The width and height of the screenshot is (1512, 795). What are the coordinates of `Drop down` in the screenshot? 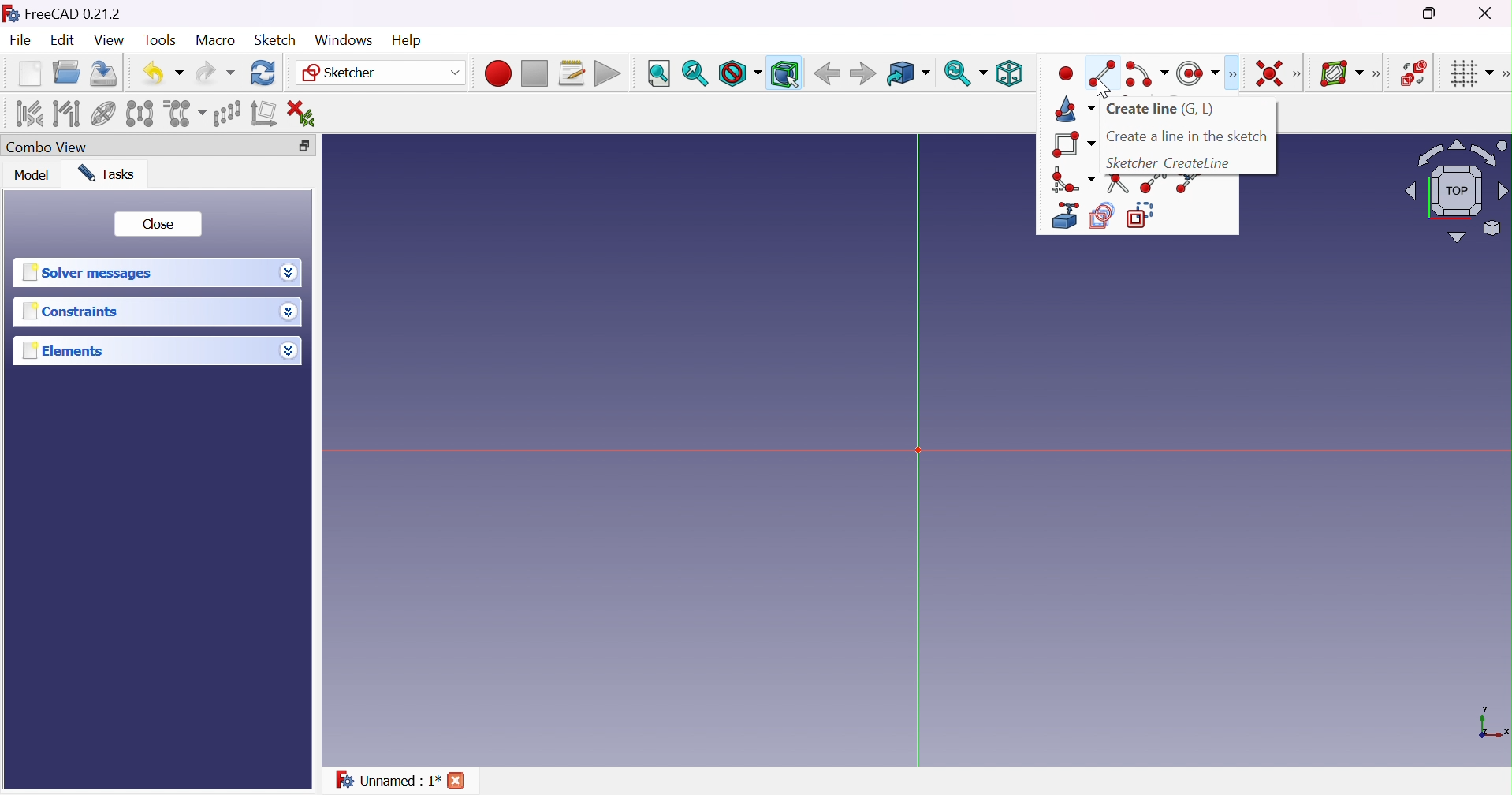 It's located at (289, 273).